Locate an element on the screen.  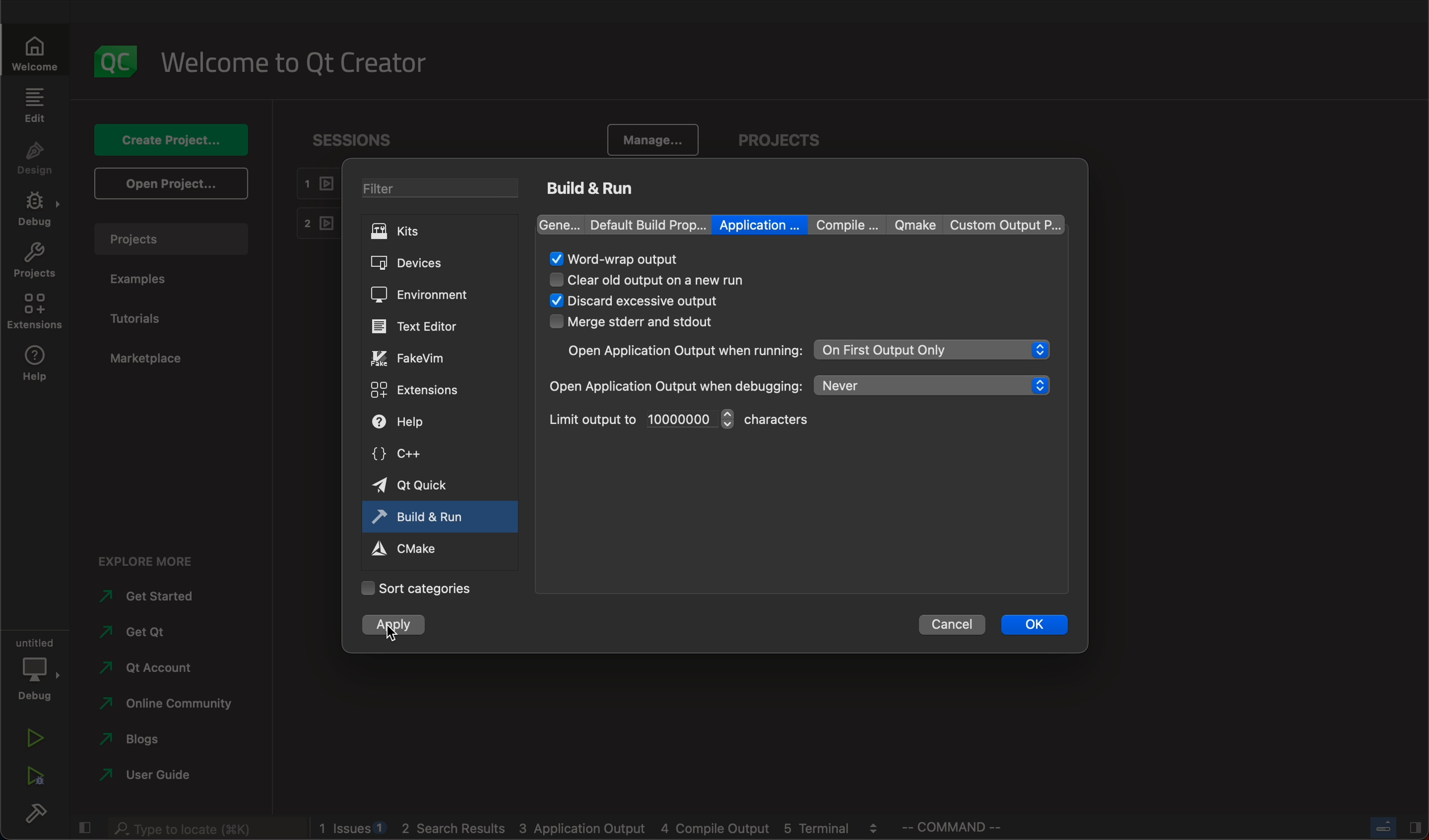
never is located at coordinates (934, 385).